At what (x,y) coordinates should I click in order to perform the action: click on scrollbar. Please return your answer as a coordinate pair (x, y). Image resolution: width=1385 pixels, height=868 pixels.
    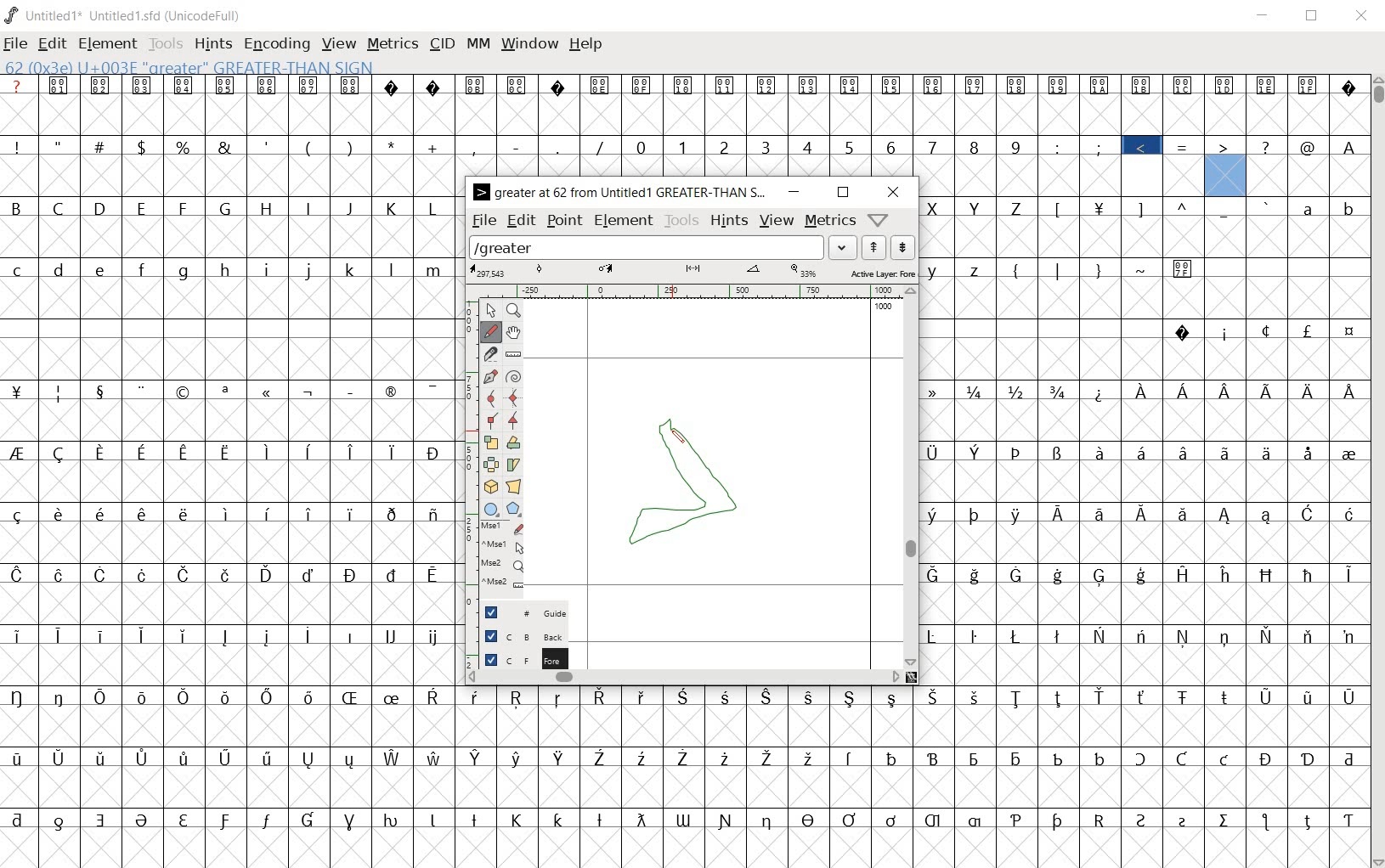
    Looking at the image, I should click on (911, 477).